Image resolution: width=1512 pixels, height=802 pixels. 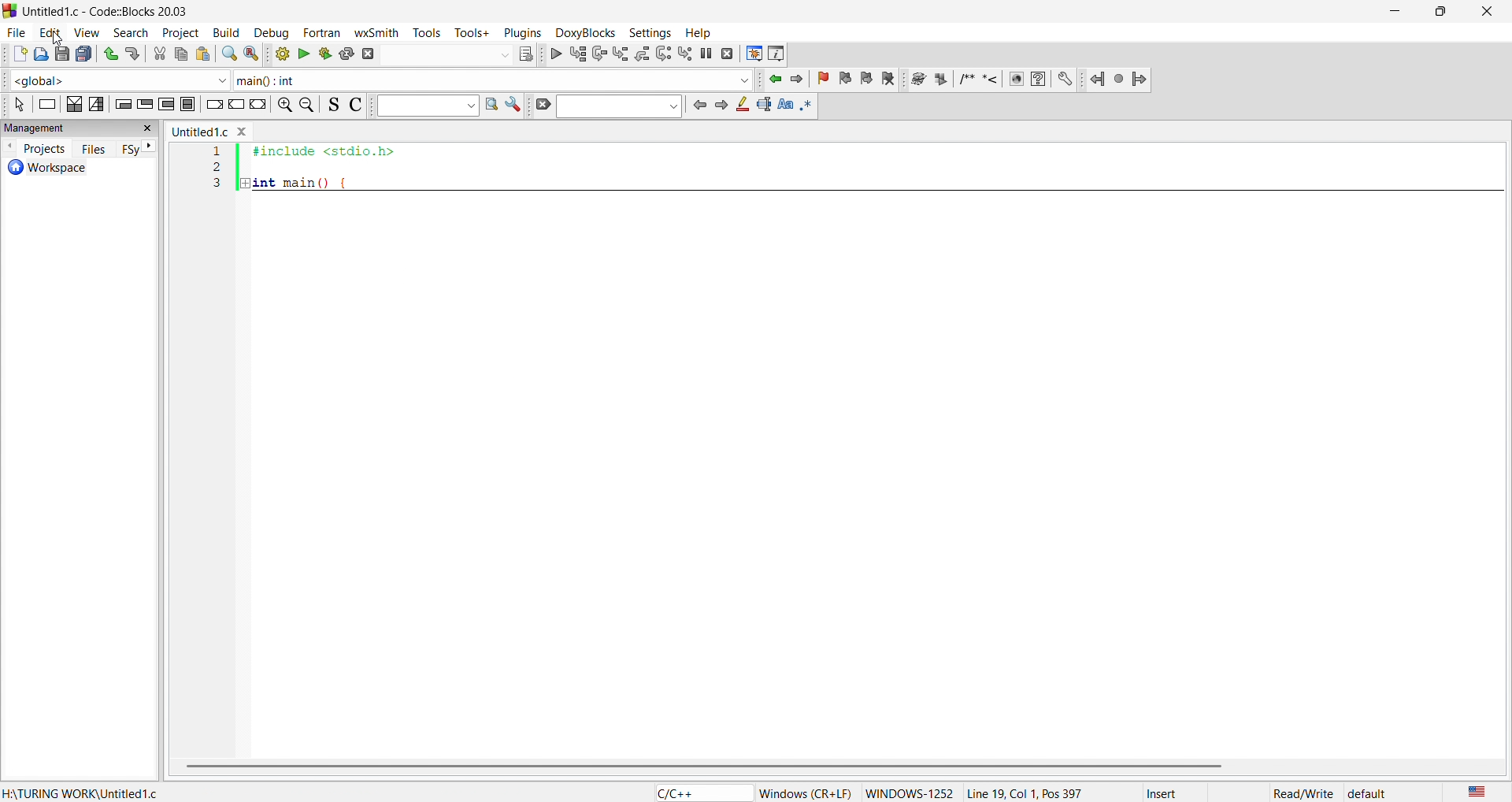 I want to click on redo, so click(x=135, y=54).